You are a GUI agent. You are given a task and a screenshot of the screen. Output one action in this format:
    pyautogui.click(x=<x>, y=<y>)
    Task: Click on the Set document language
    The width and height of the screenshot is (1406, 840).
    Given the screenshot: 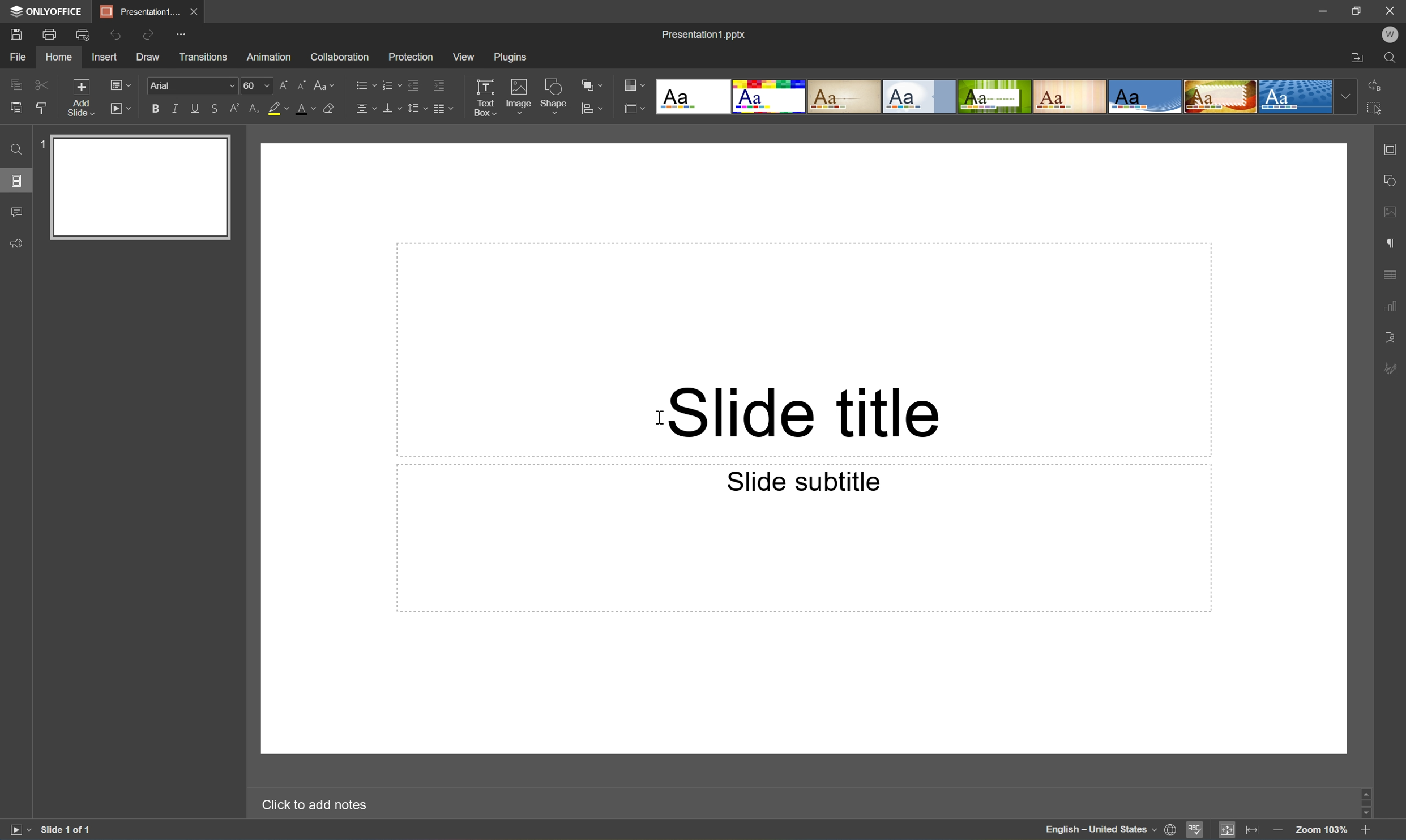 What is the action you would take?
    pyautogui.click(x=1170, y=830)
    